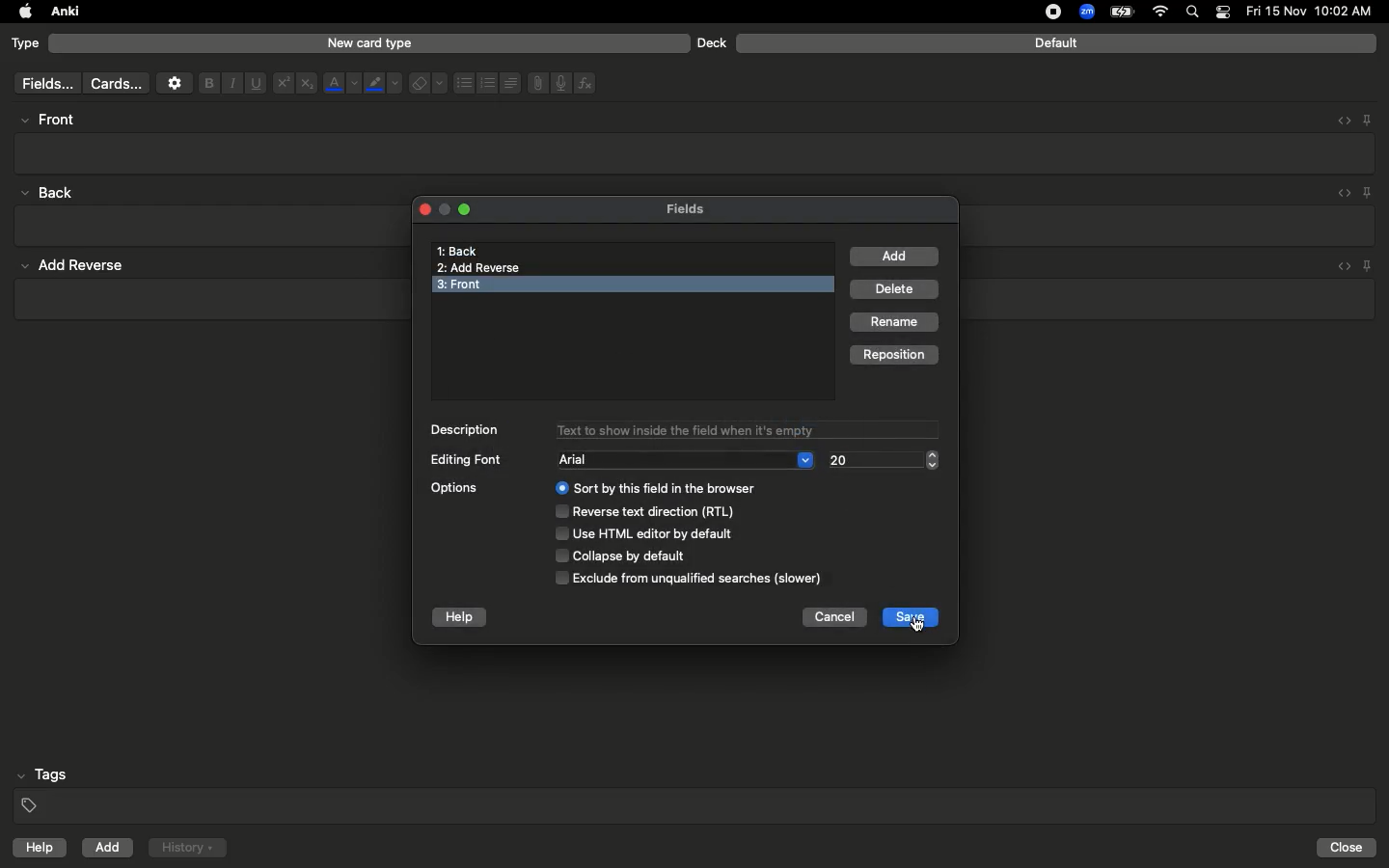  I want to click on page up, so click(933, 468).